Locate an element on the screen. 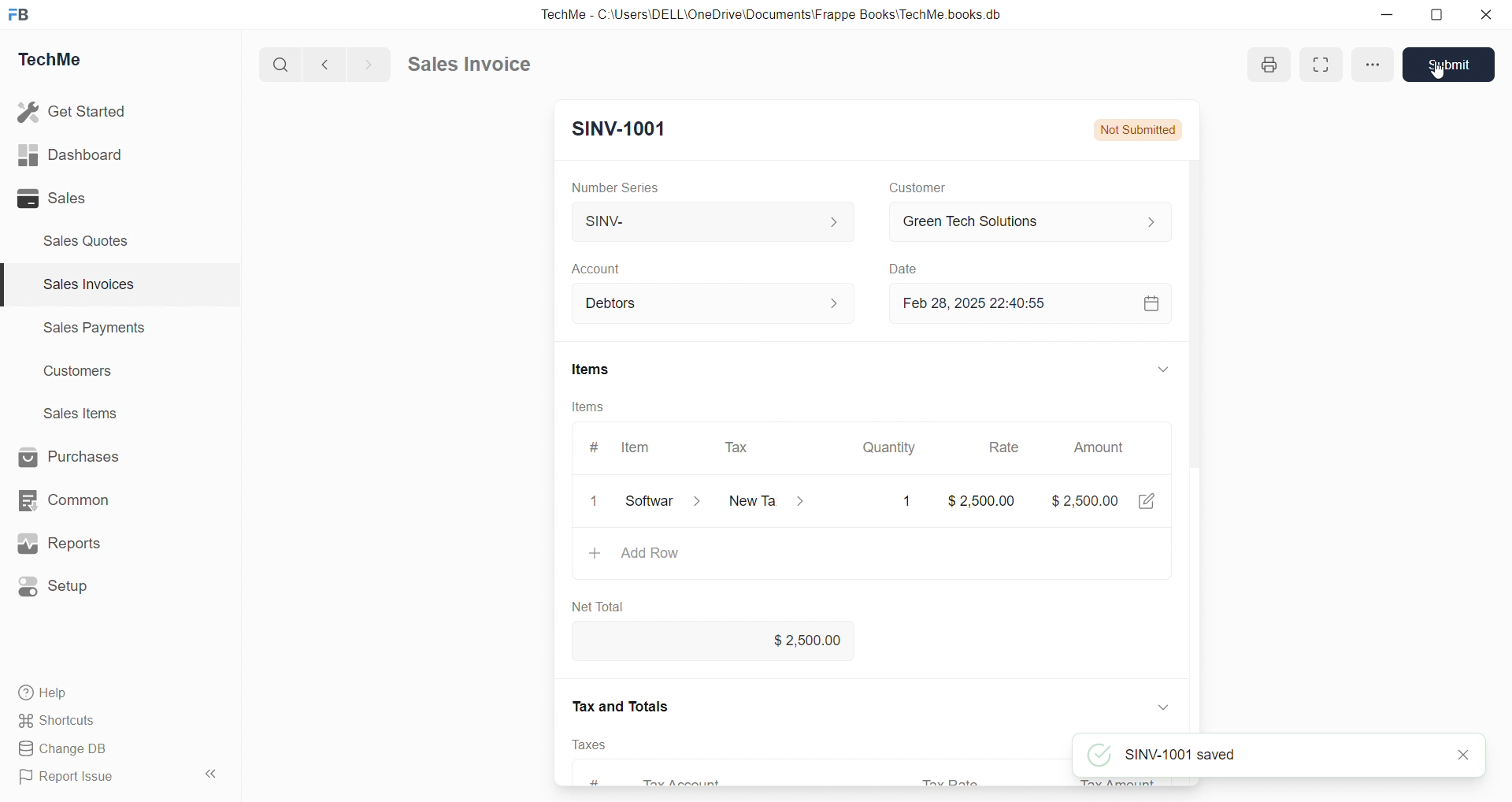 The image size is (1512, 802). Get Started is located at coordinates (73, 111).